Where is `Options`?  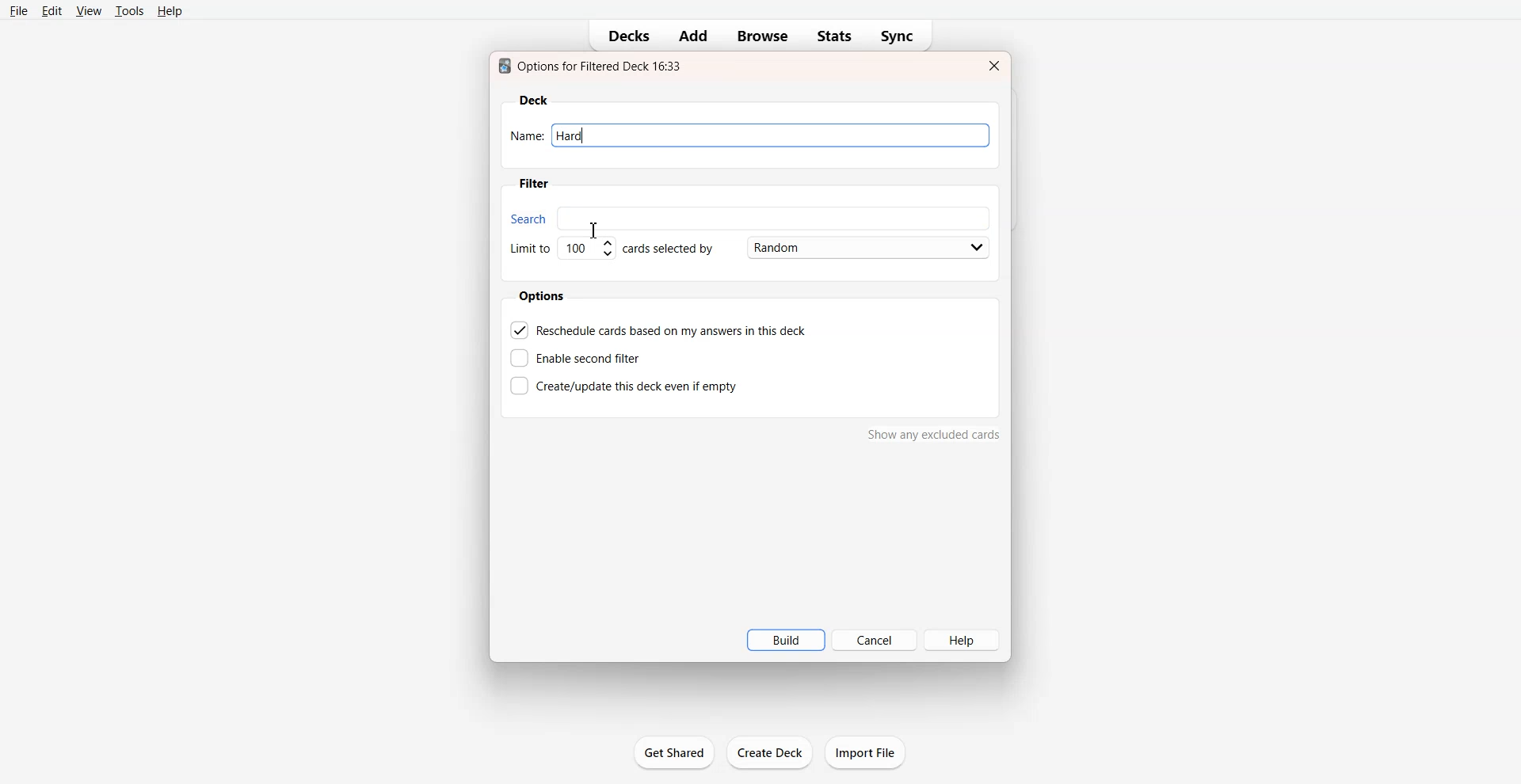 Options is located at coordinates (544, 296).